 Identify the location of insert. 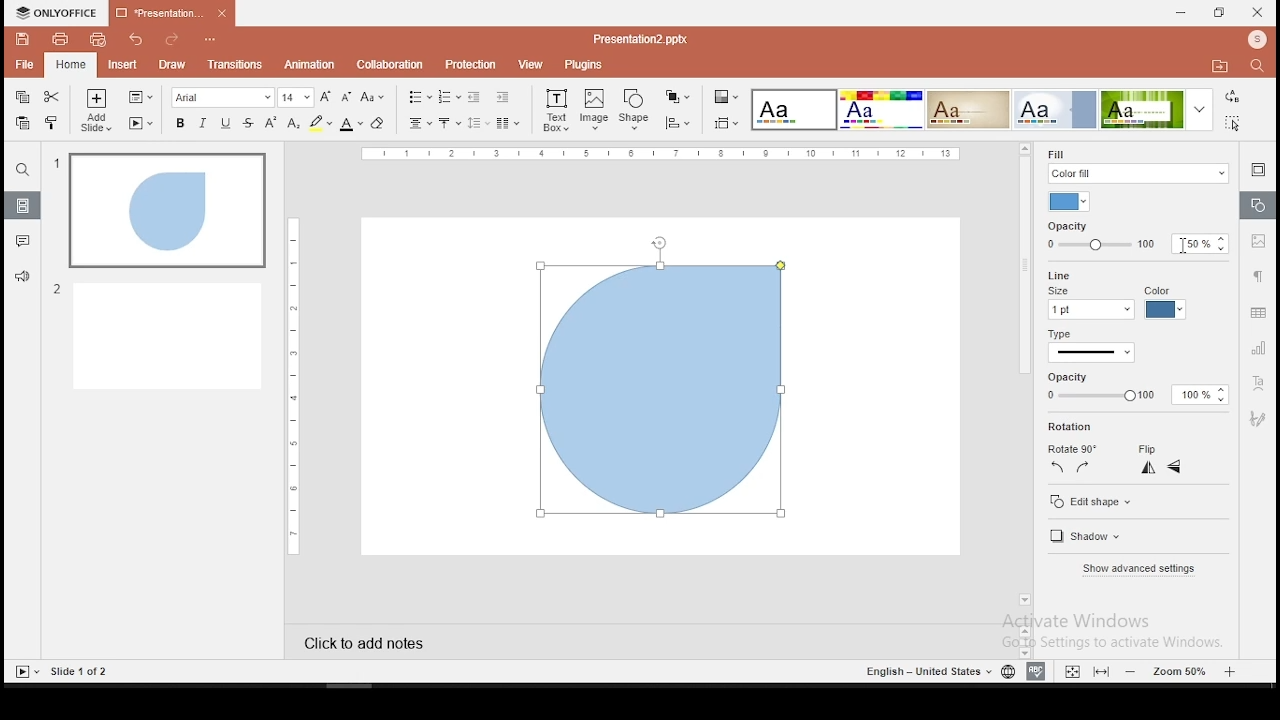
(123, 66).